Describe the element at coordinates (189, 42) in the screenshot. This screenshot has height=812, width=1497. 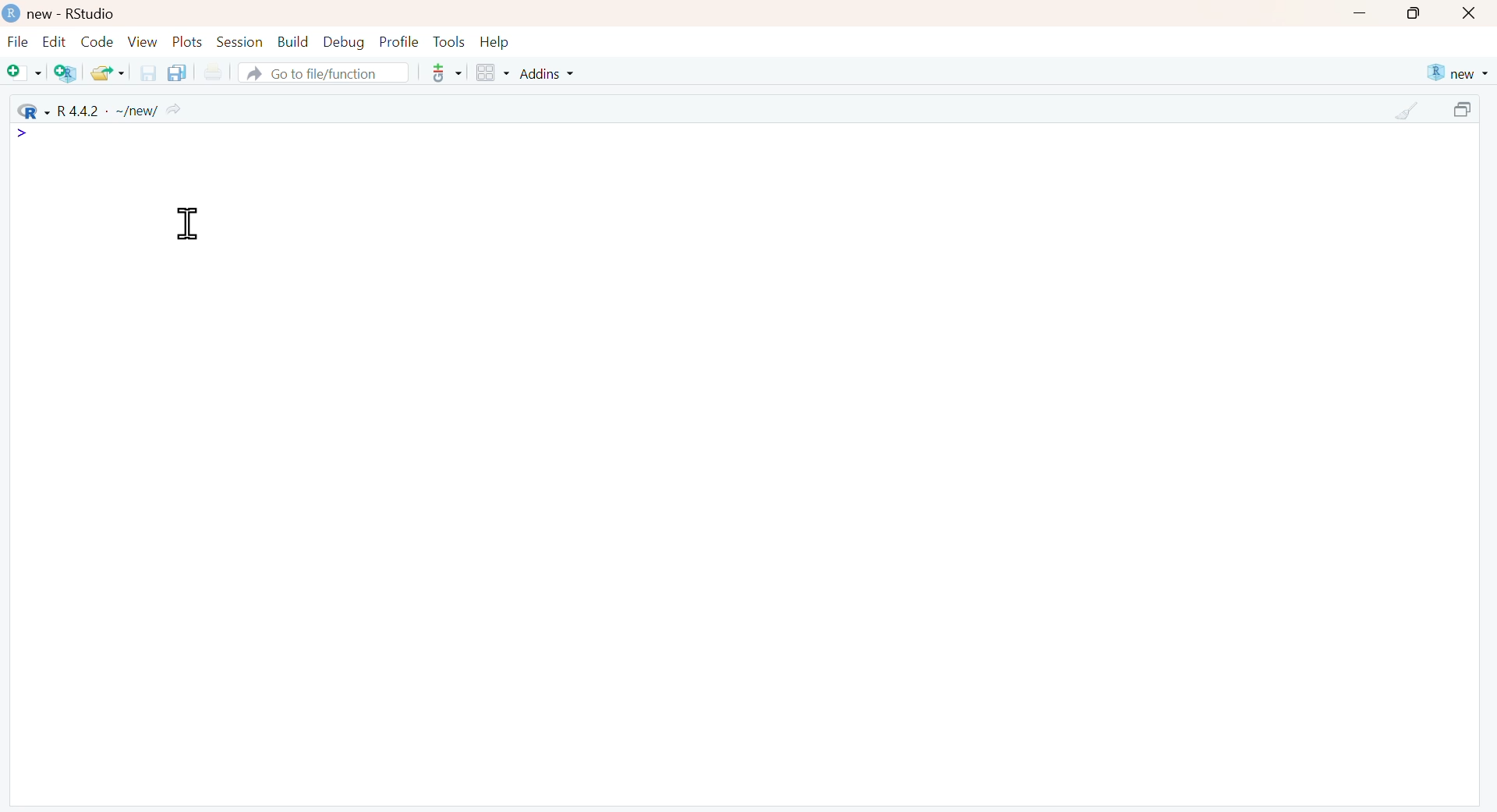
I see `Plots` at that location.